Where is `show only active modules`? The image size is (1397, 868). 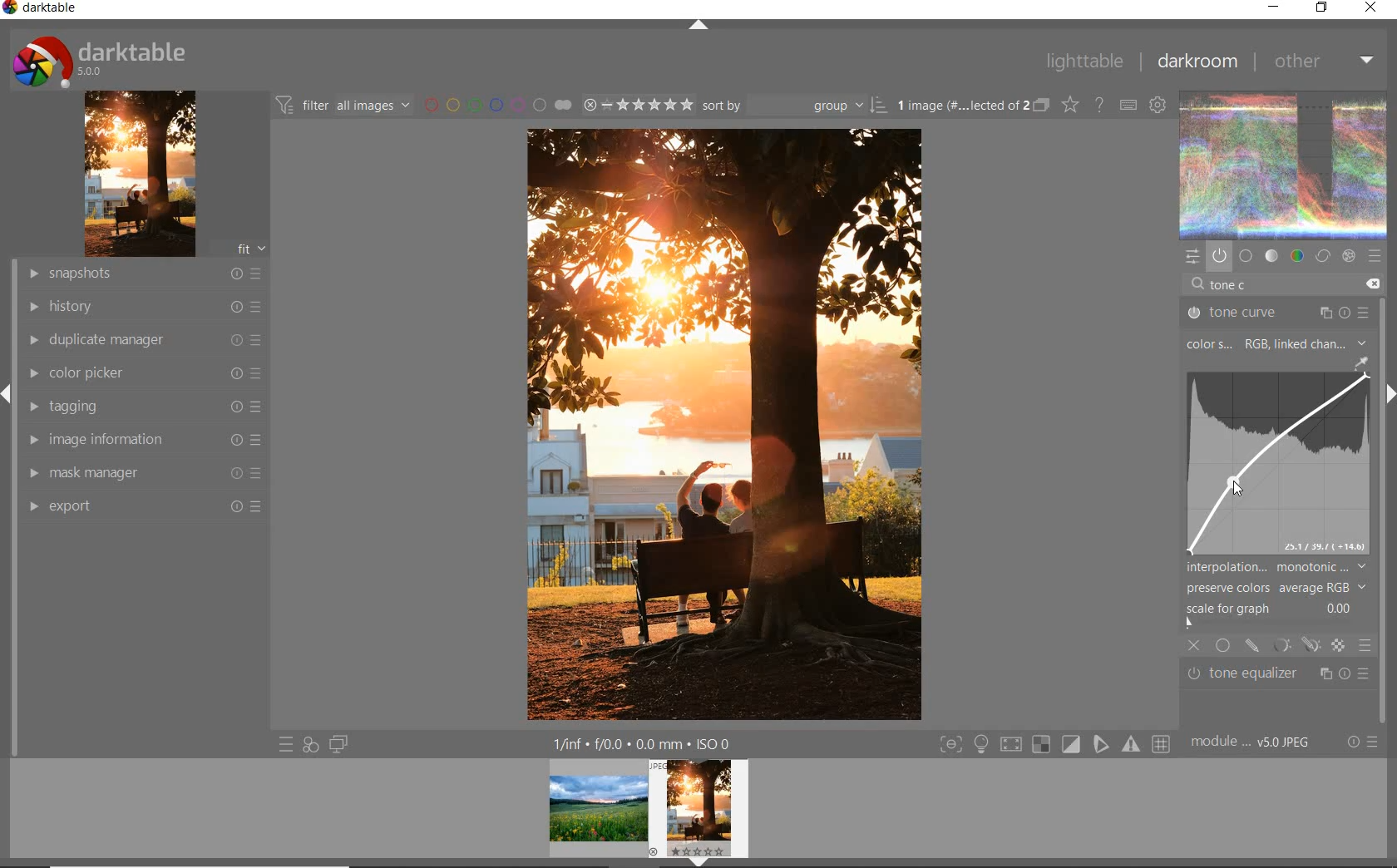
show only active modules is located at coordinates (1220, 255).